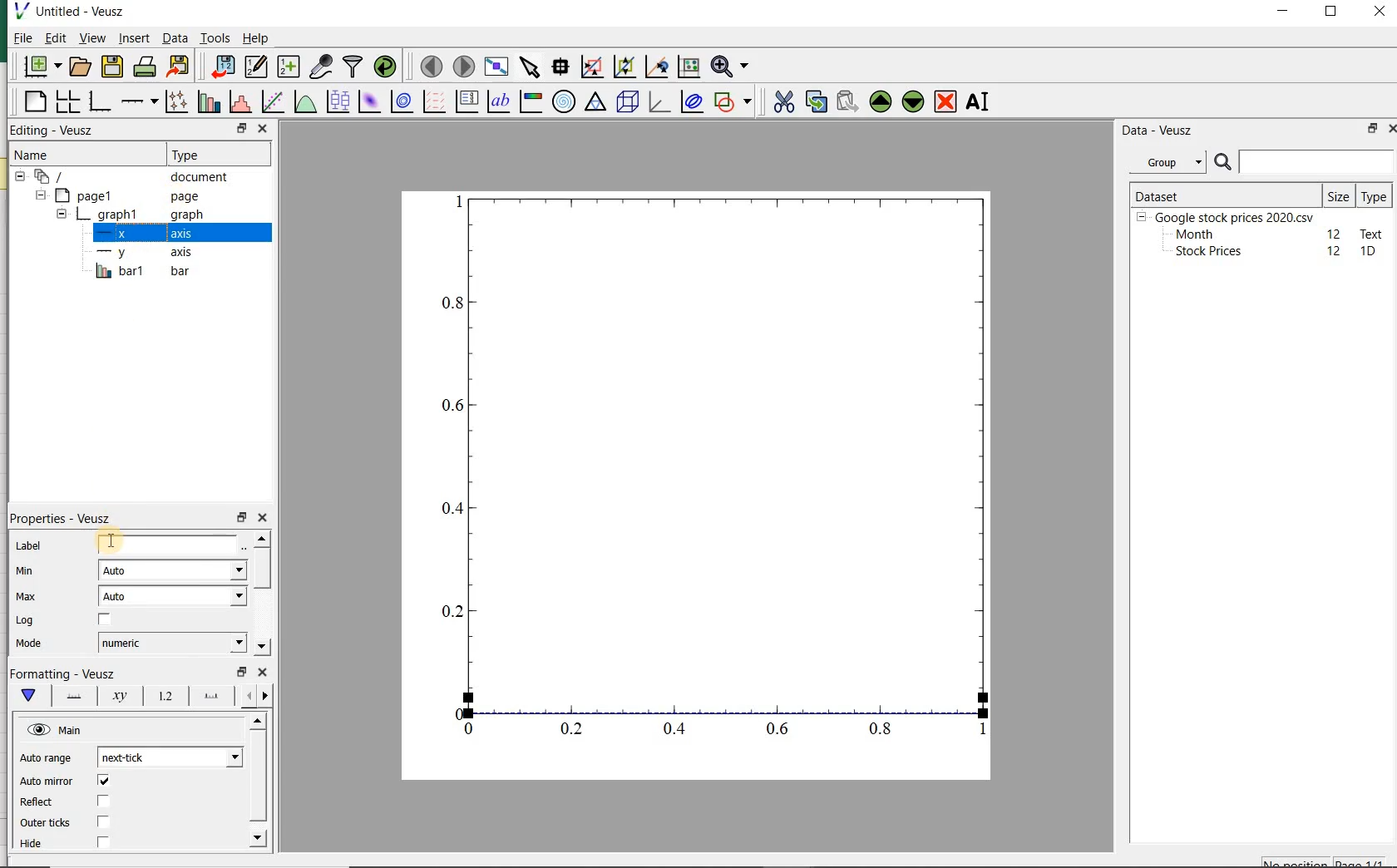  What do you see at coordinates (35, 847) in the screenshot?
I see `Hide` at bounding box center [35, 847].